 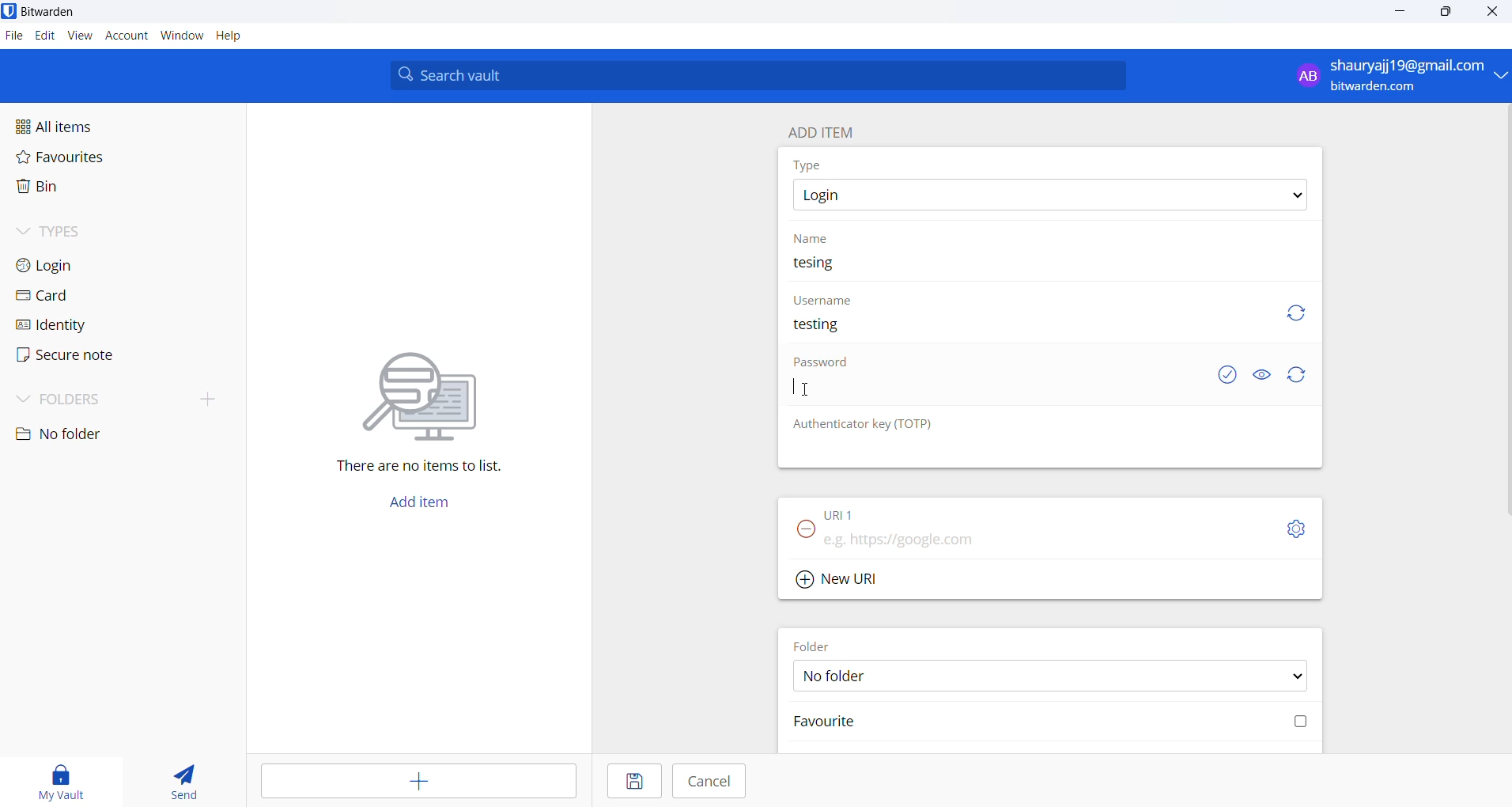 What do you see at coordinates (1262, 374) in the screenshot?
I see `show and hide` at bounding box center [1262, 374].